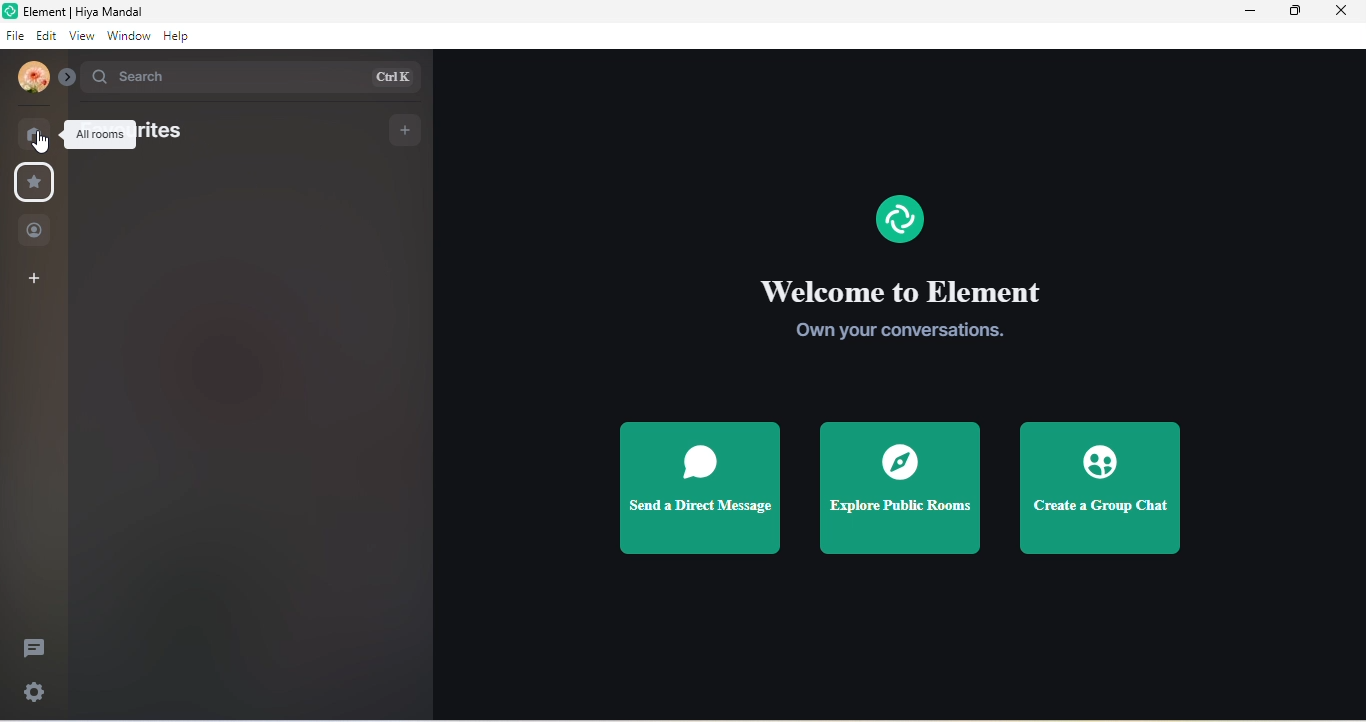  What do you see at coordinates (41, 142) in the screenshot?
I see `cursor` at bounding box center [41, 142].